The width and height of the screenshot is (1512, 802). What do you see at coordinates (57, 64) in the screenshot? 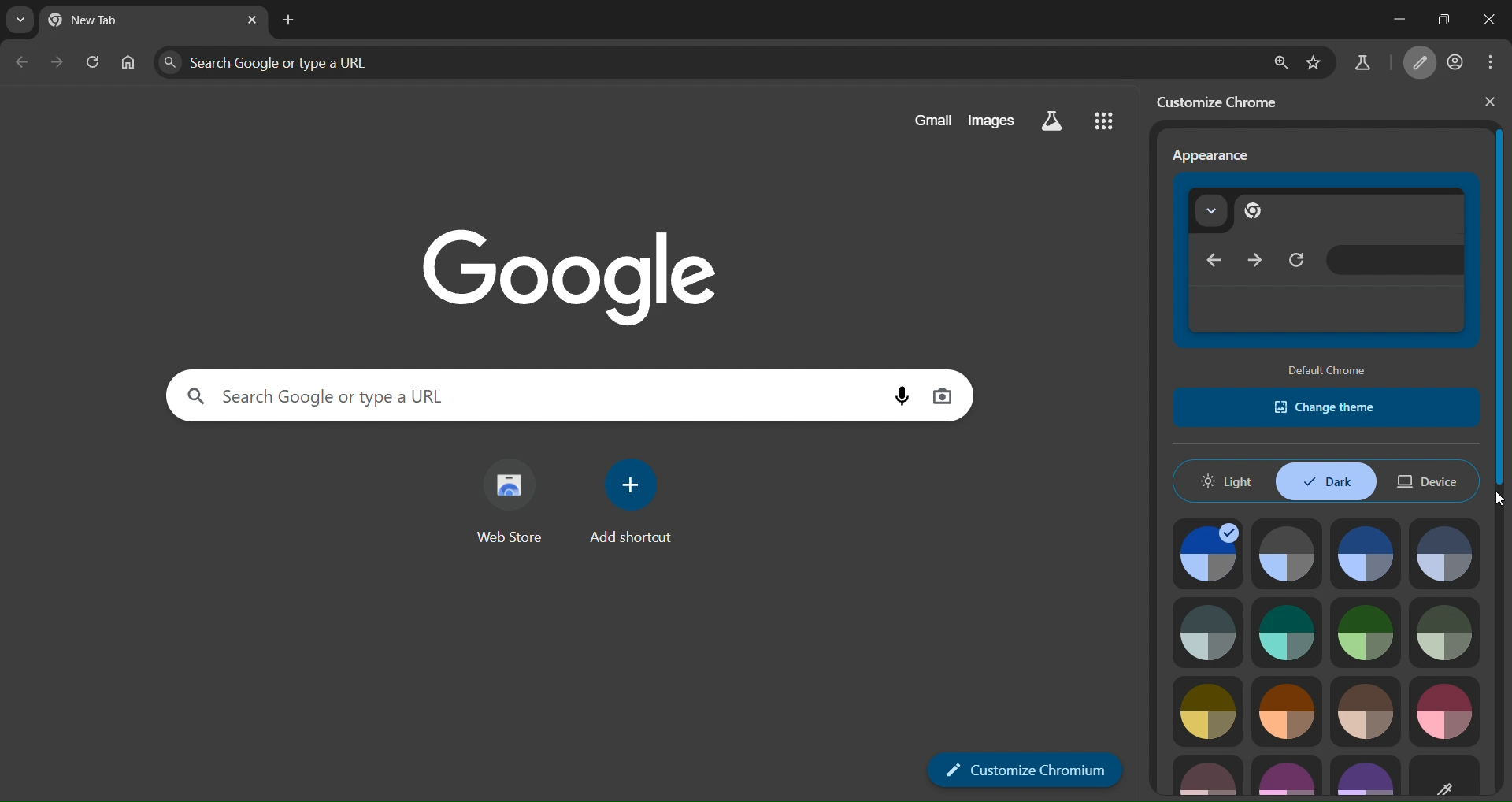
I see `go forward one page` at bounding box center [57, 64].